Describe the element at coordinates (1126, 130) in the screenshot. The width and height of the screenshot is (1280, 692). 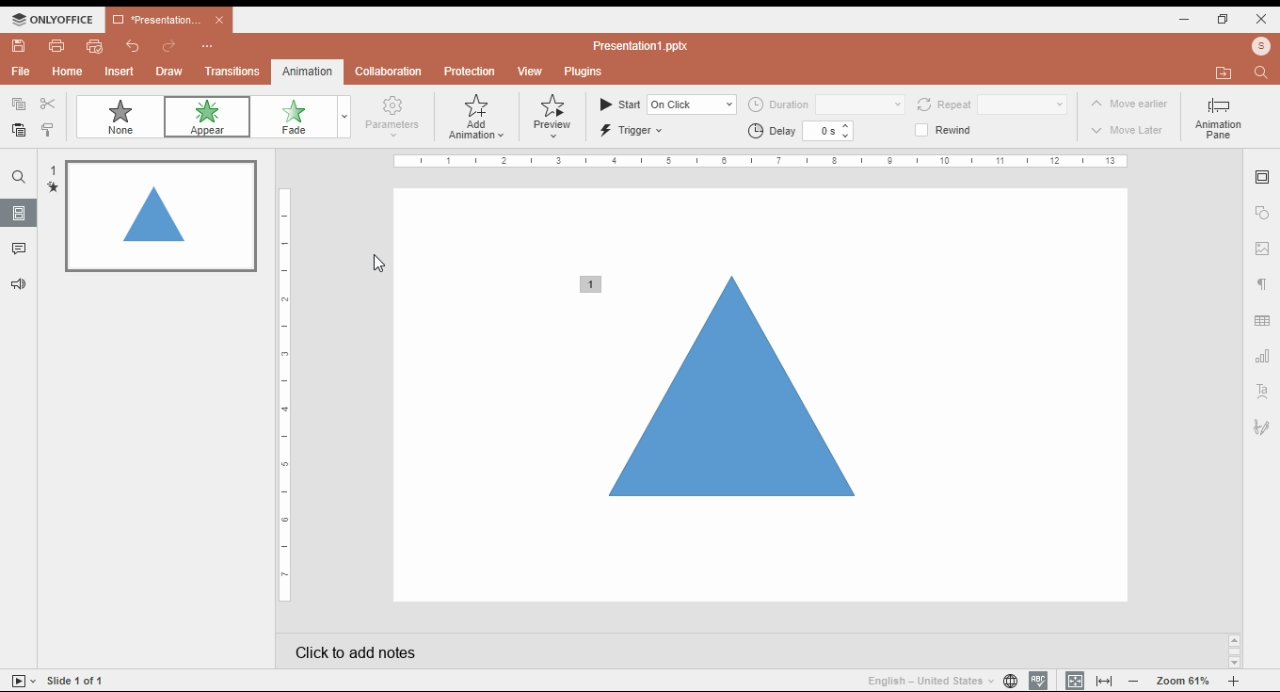
I see `move later` at that location.